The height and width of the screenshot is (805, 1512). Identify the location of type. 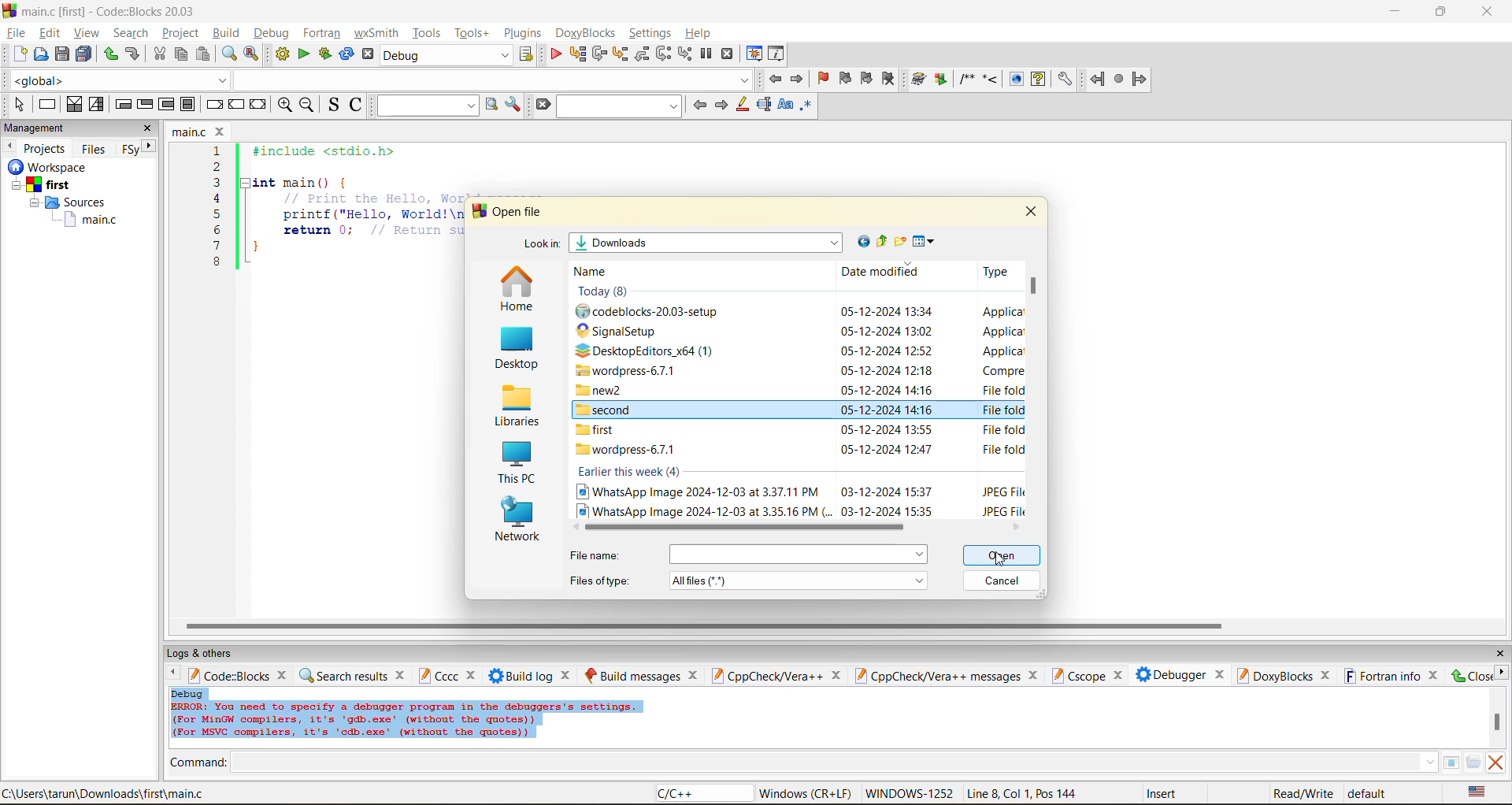
(1001, 351).